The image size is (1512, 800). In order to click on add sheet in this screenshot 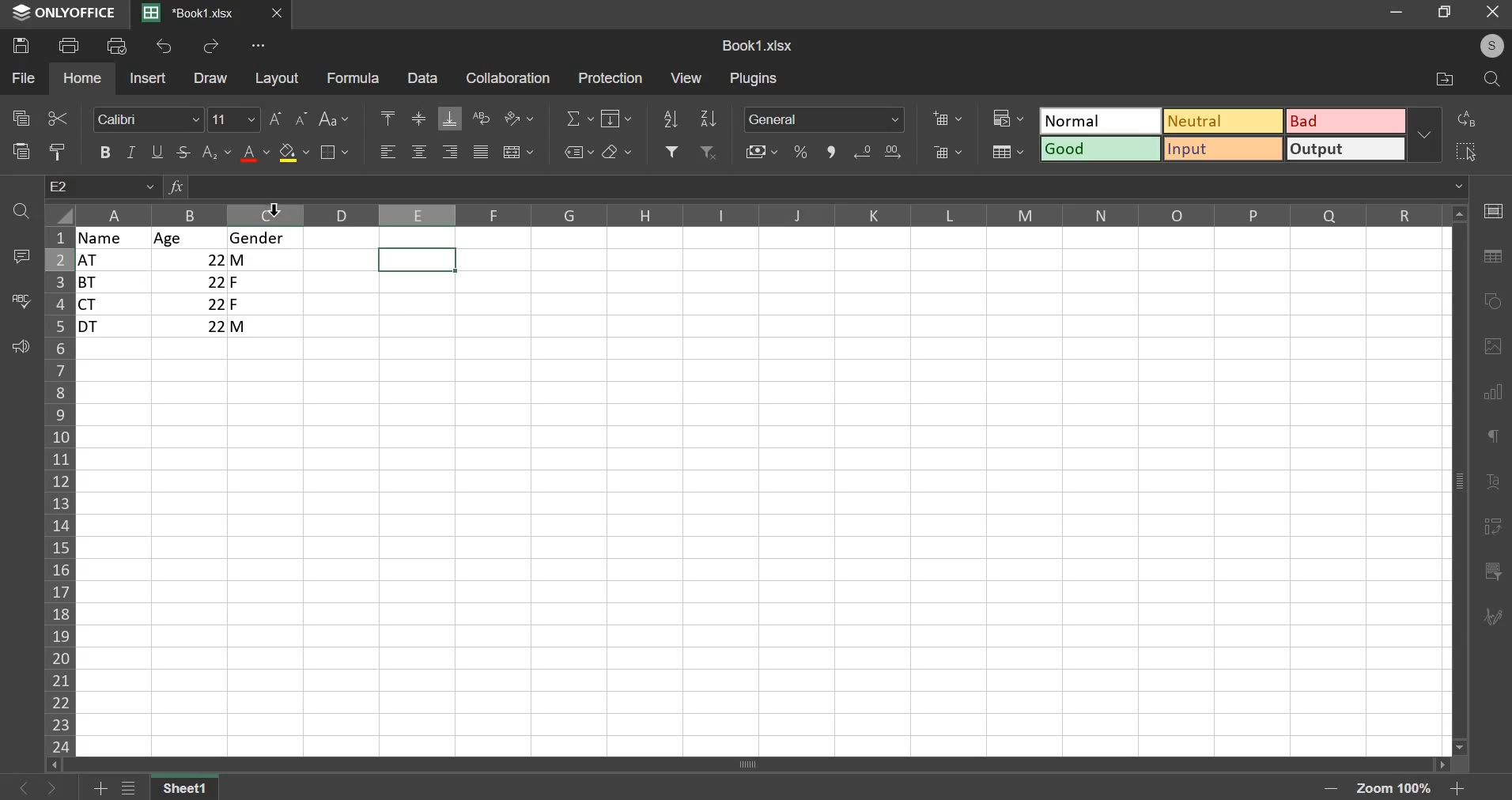, I will do `click(102, 786)`.